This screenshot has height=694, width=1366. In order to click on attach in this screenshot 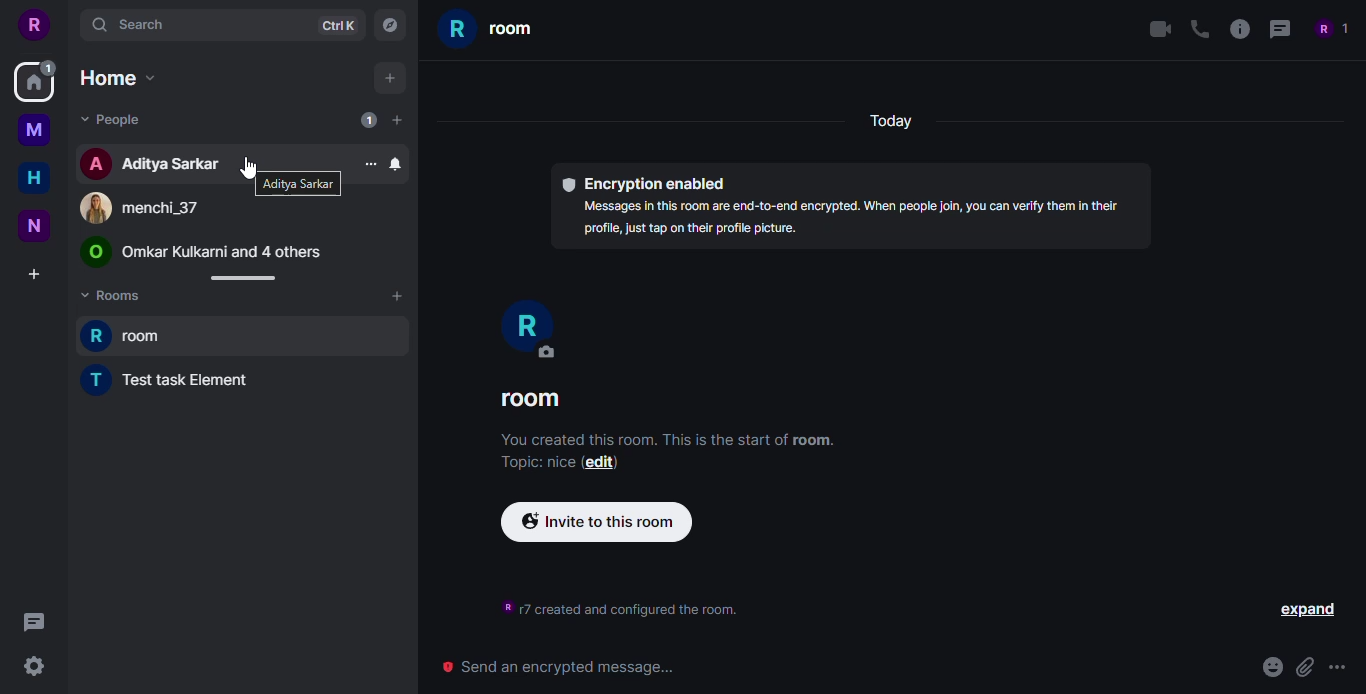, I will do `click(1304, 667)`.